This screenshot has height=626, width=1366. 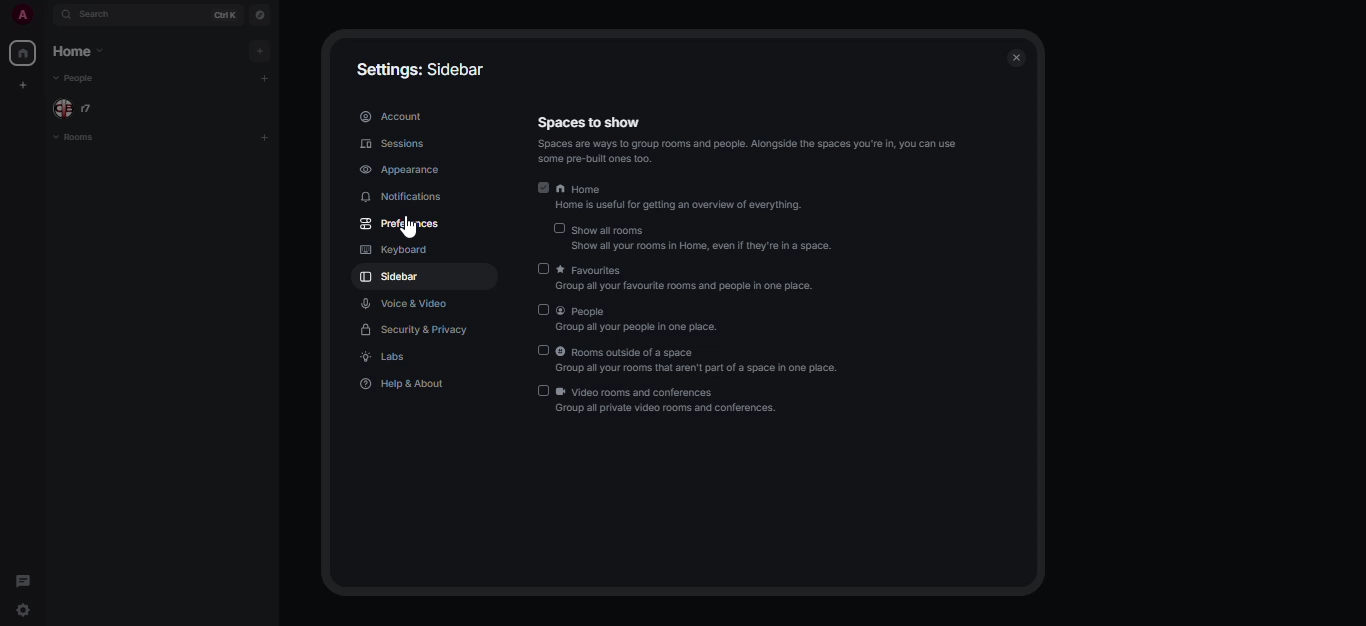 What do you see at coordinates (96, 141) in the screenshot?
I see `rooms` at bounding box center [96, 141].